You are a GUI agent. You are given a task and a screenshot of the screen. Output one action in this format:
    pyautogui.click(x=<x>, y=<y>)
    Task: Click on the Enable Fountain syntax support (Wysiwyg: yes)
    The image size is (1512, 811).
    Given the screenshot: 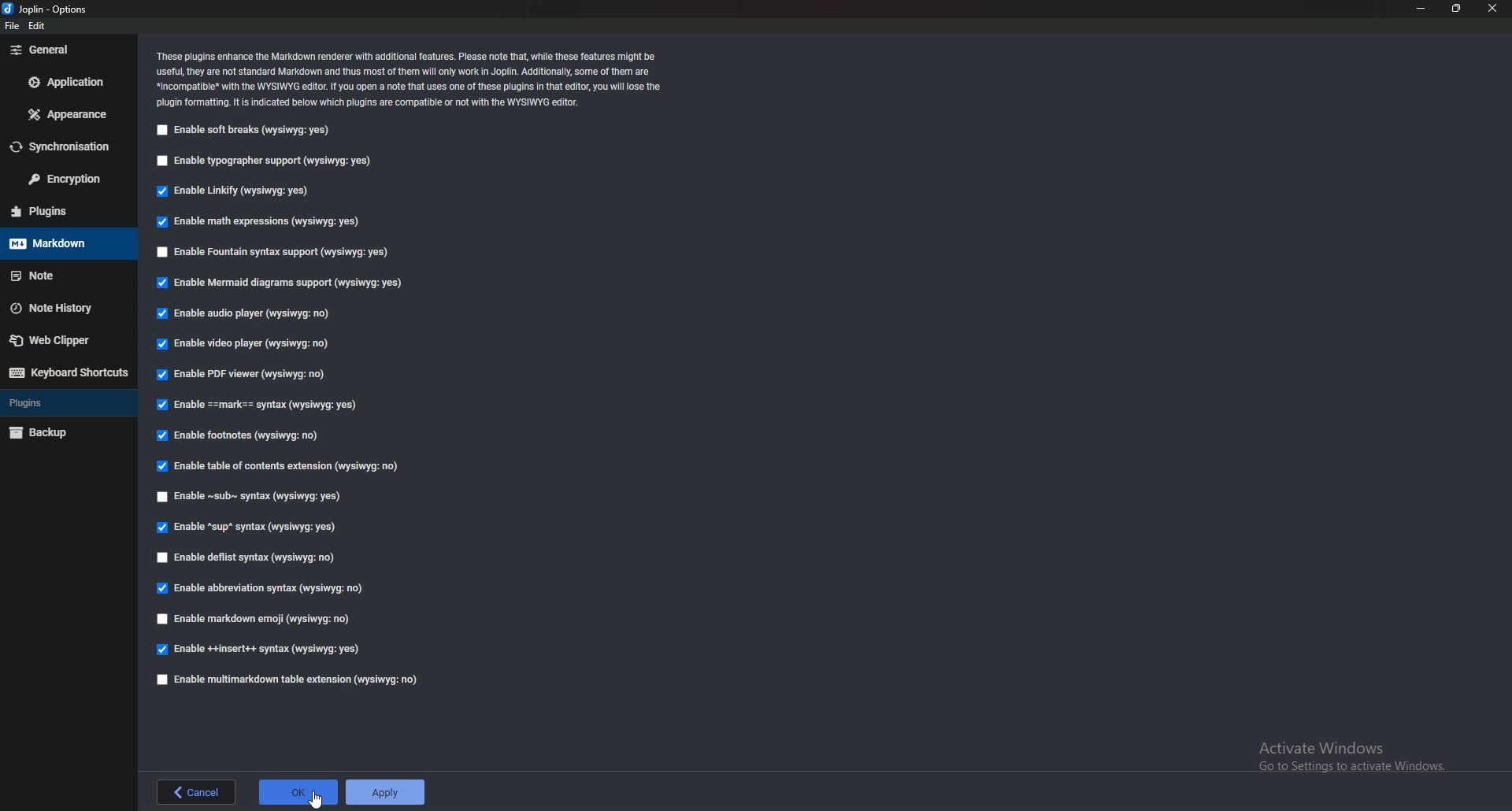 What is the action you would take?
    pyautogui.click(x=275, y=251)
    